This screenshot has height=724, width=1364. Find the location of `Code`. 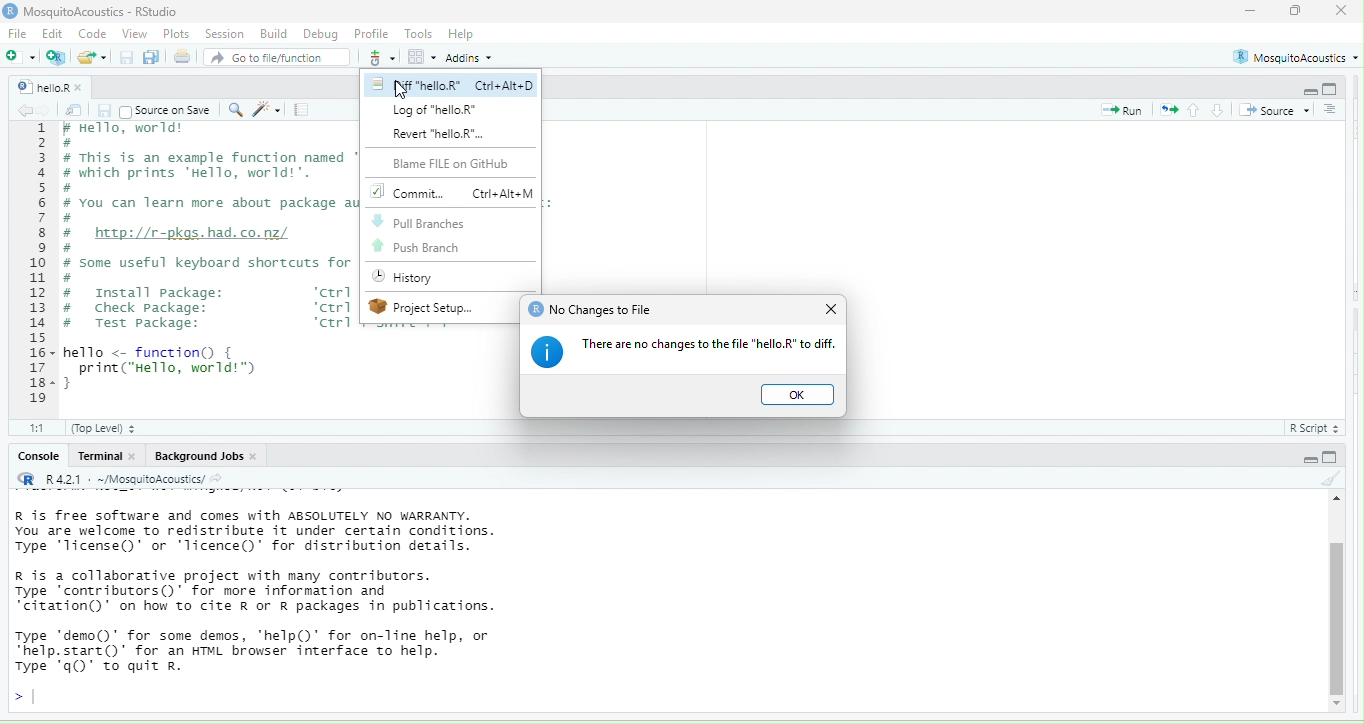

Code is located at coordinates (89, 35).